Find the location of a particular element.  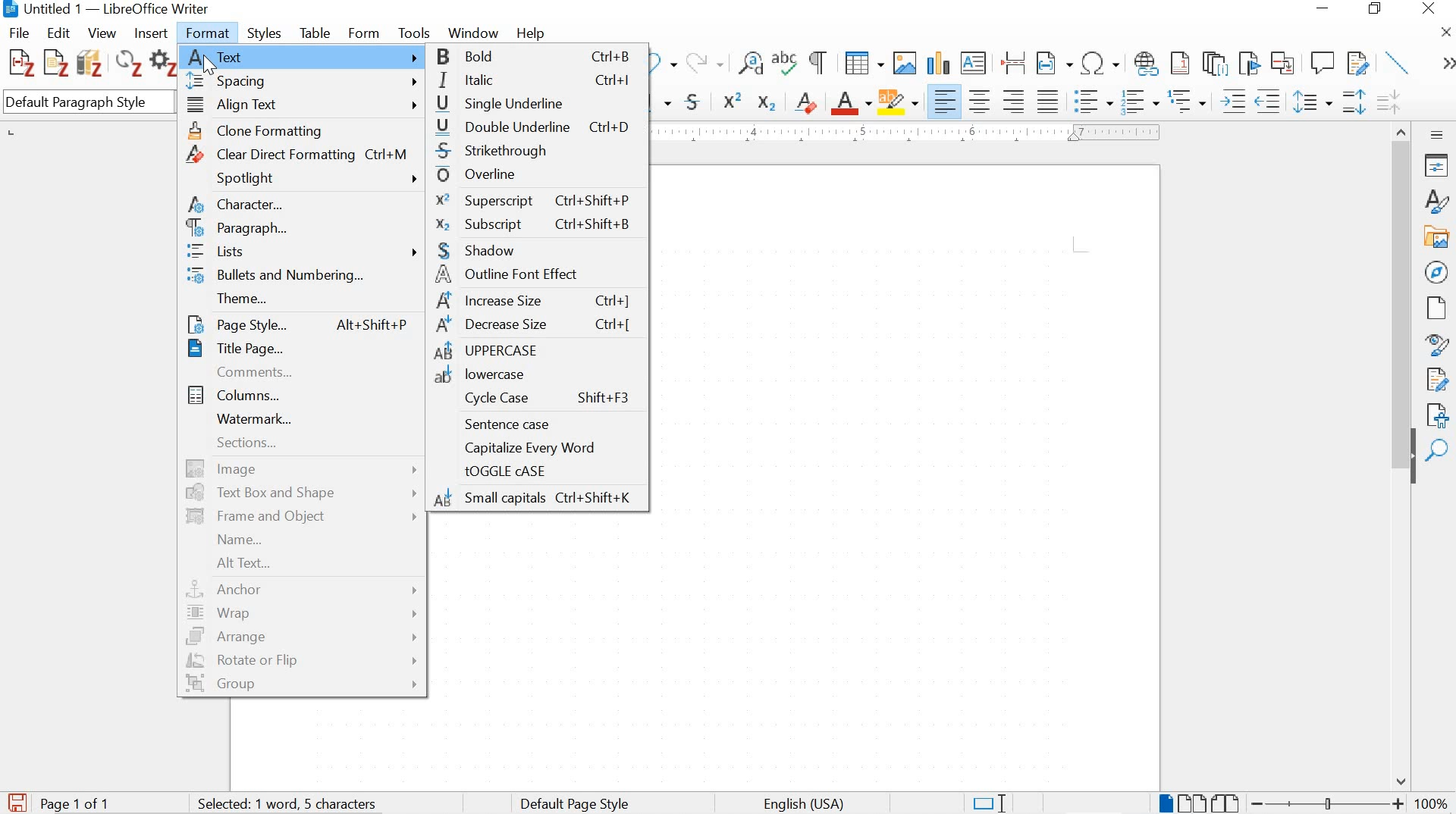

insert footnote is located at coordinates (1147, 64).